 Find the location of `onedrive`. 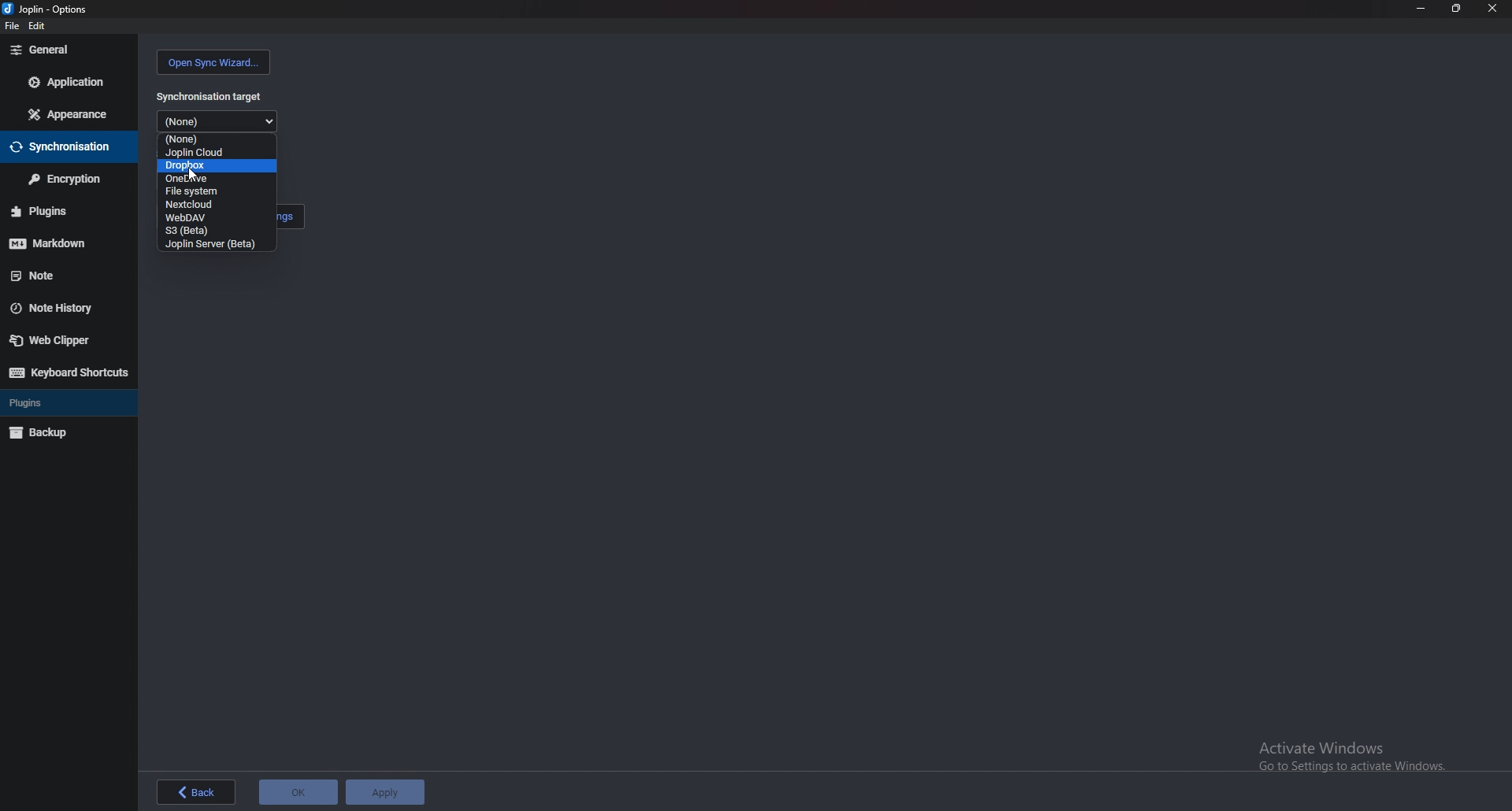

onedrive is located at coordinates (209, 179).